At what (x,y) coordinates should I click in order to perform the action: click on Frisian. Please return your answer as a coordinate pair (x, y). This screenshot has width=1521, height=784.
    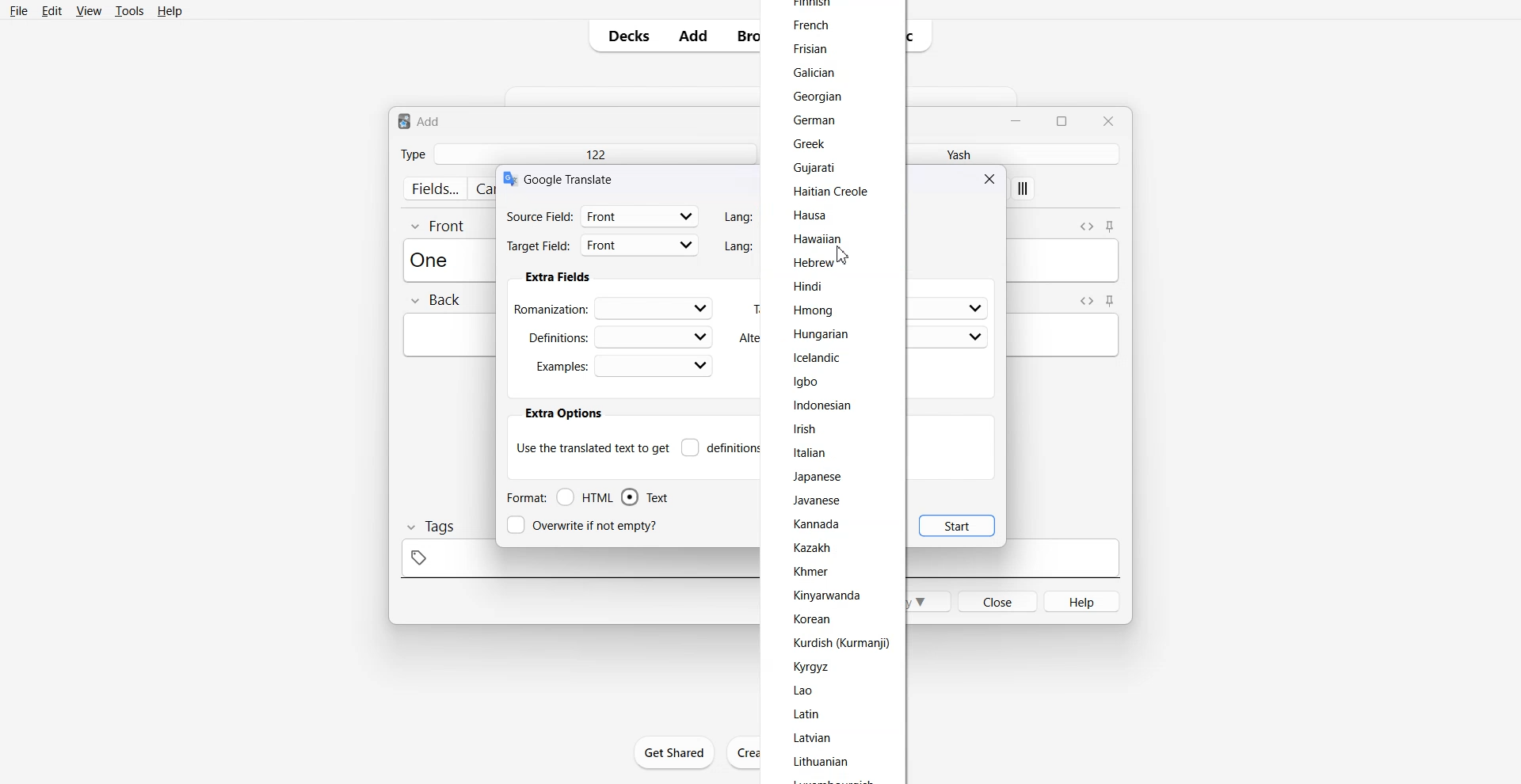
    Looking at the image, I should click on (810, 48).